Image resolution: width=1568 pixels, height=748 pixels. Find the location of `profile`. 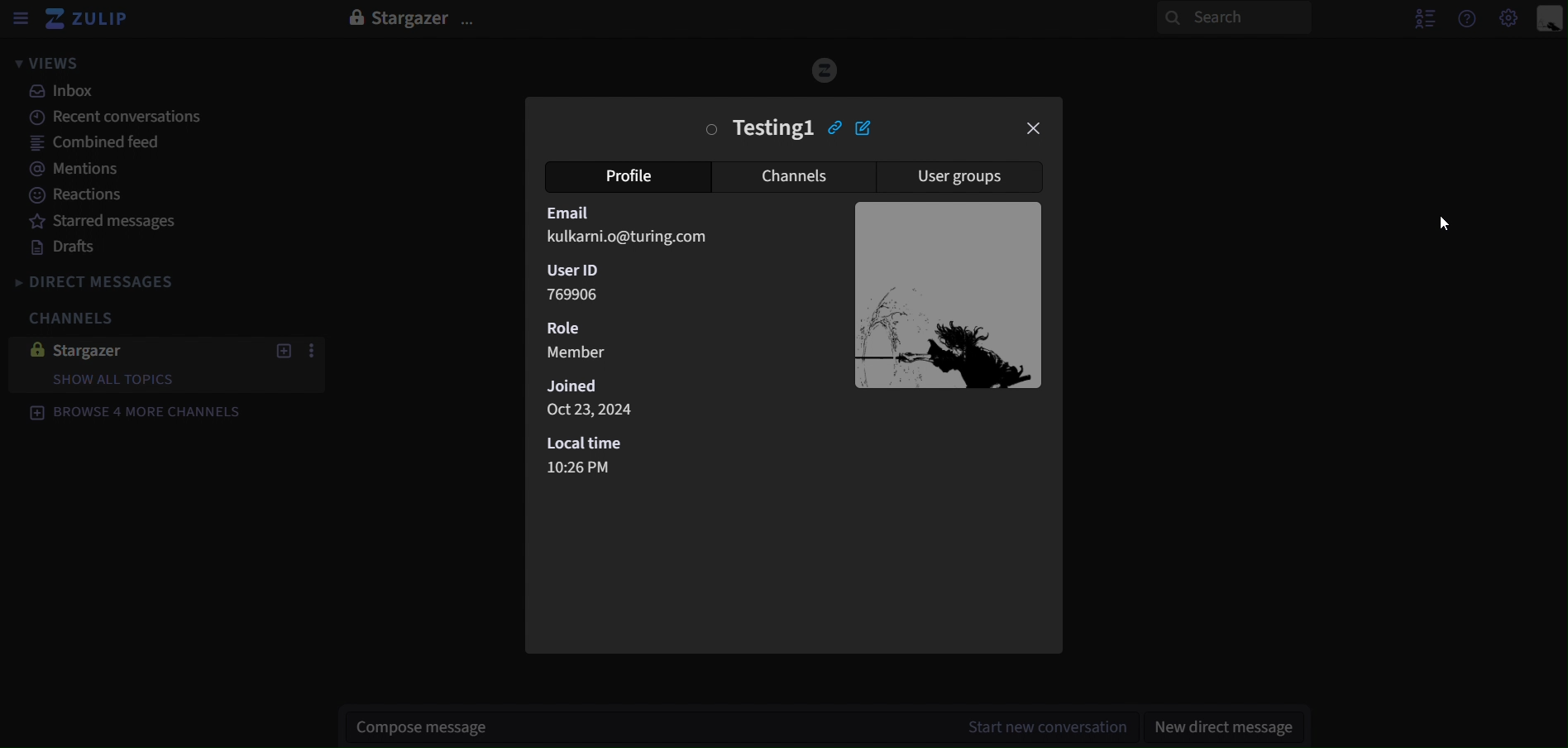

profile is located at coordinates (624, 176).